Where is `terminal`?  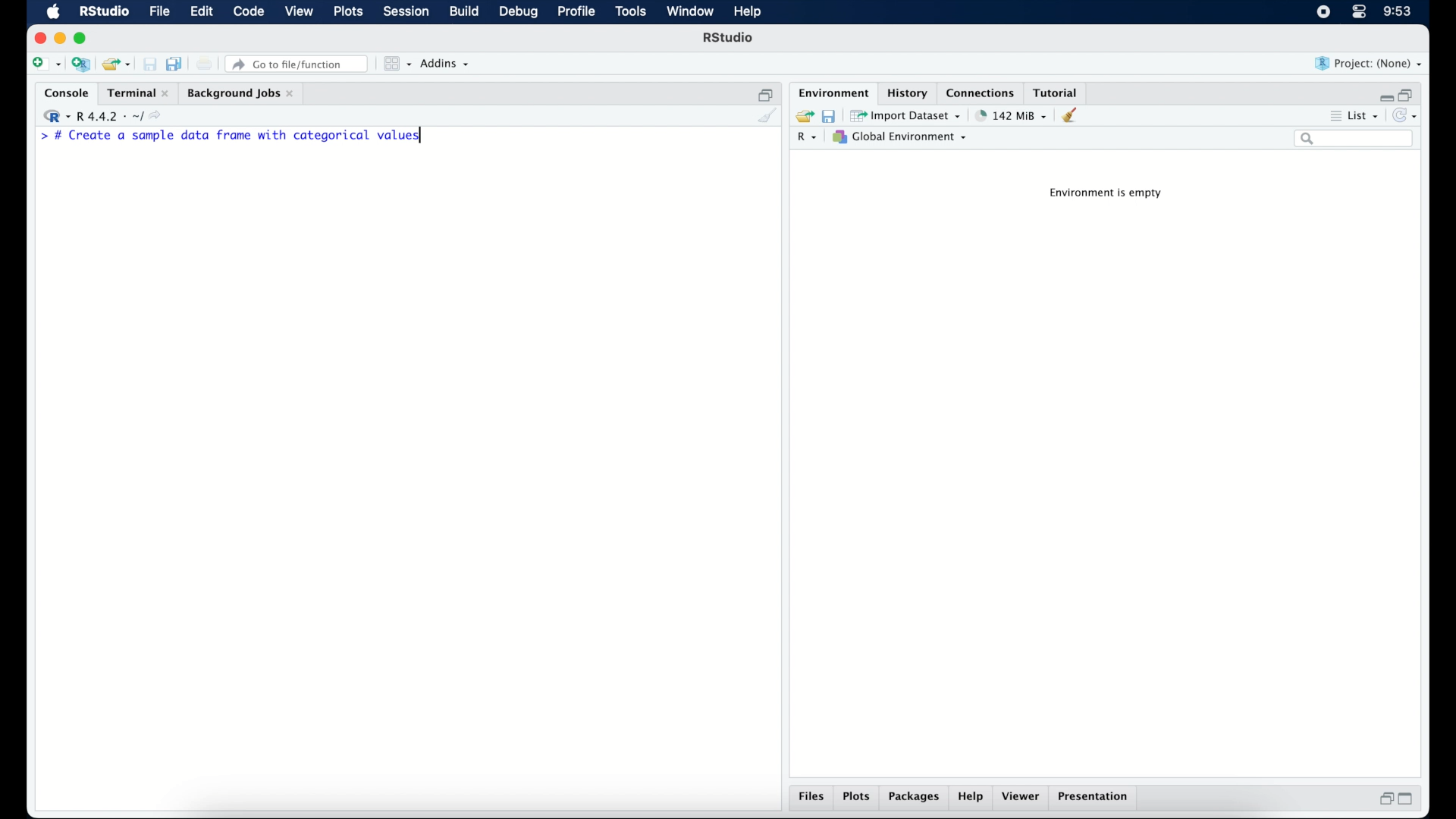 terminal is located at coordinates (136, 91).